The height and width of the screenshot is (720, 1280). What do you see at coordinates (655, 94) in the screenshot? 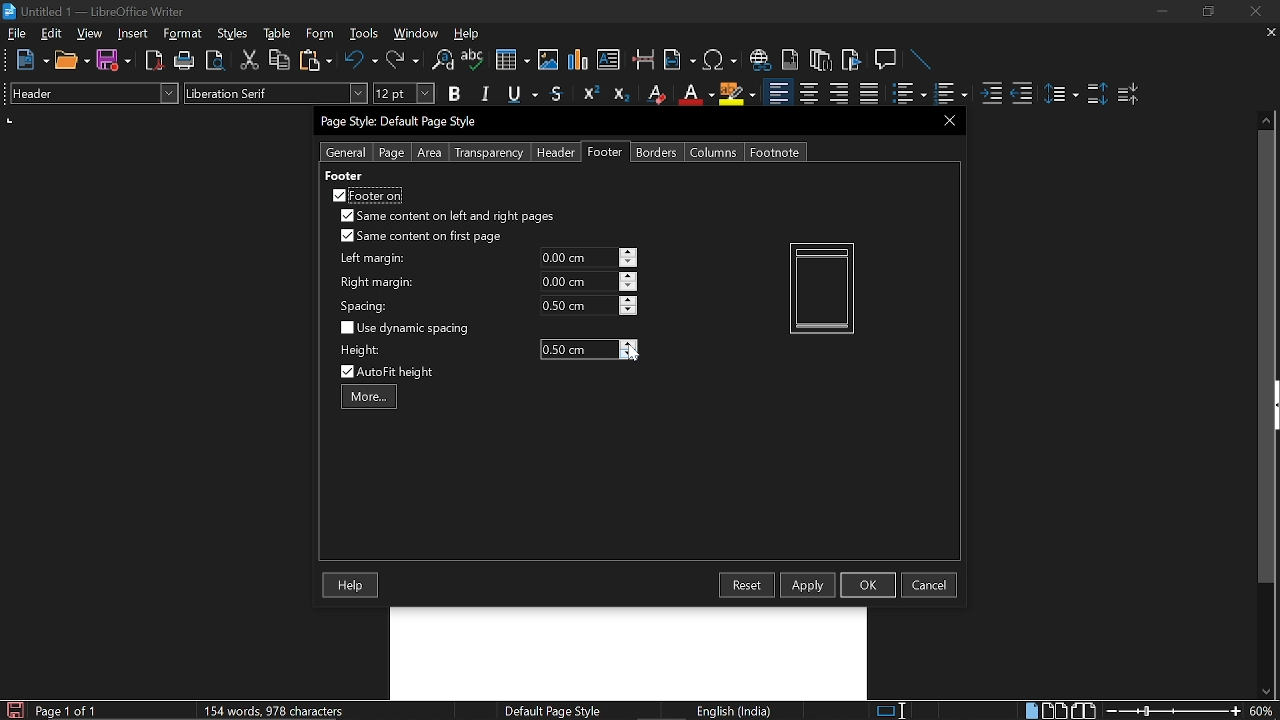
I see `Erase` at bounding box center [655, 94].